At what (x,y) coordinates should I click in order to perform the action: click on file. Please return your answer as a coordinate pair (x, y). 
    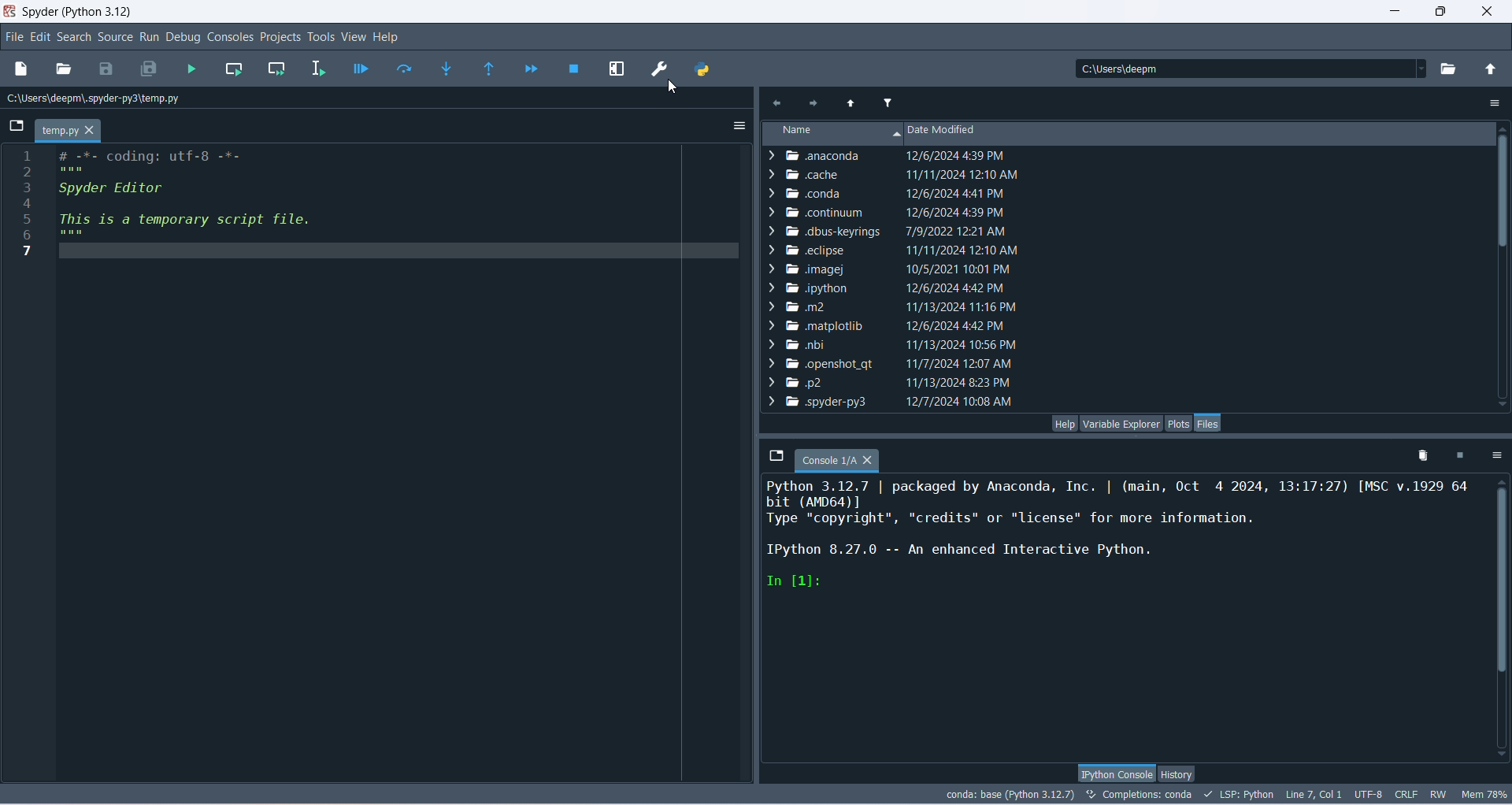
    Looking at the image, I should click on (13, 36).